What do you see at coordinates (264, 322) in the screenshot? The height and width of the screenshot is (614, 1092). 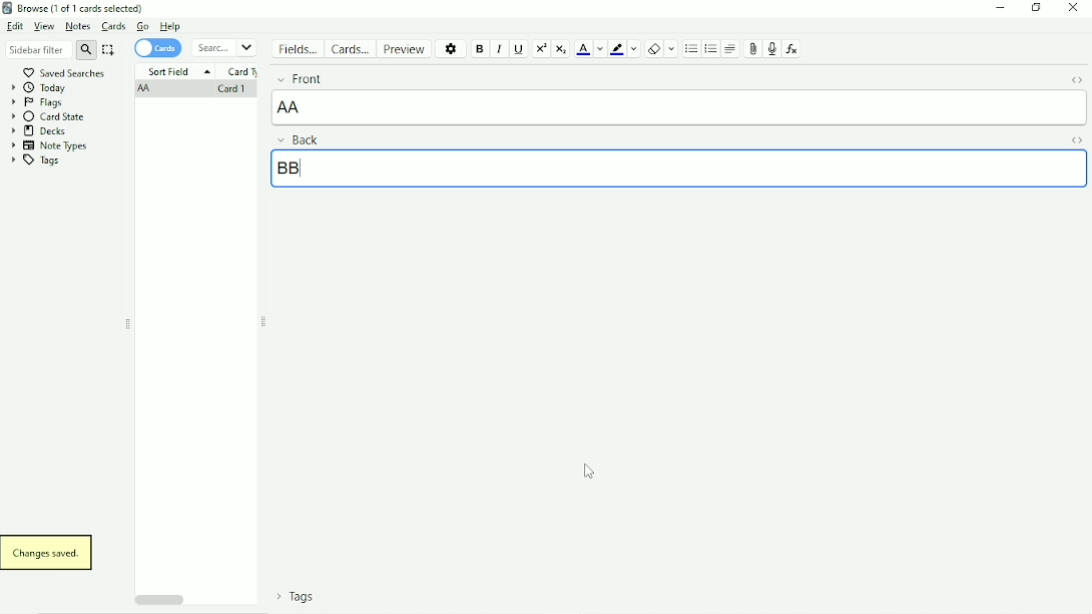 I see `Resize` at bounding box center [264, 322].